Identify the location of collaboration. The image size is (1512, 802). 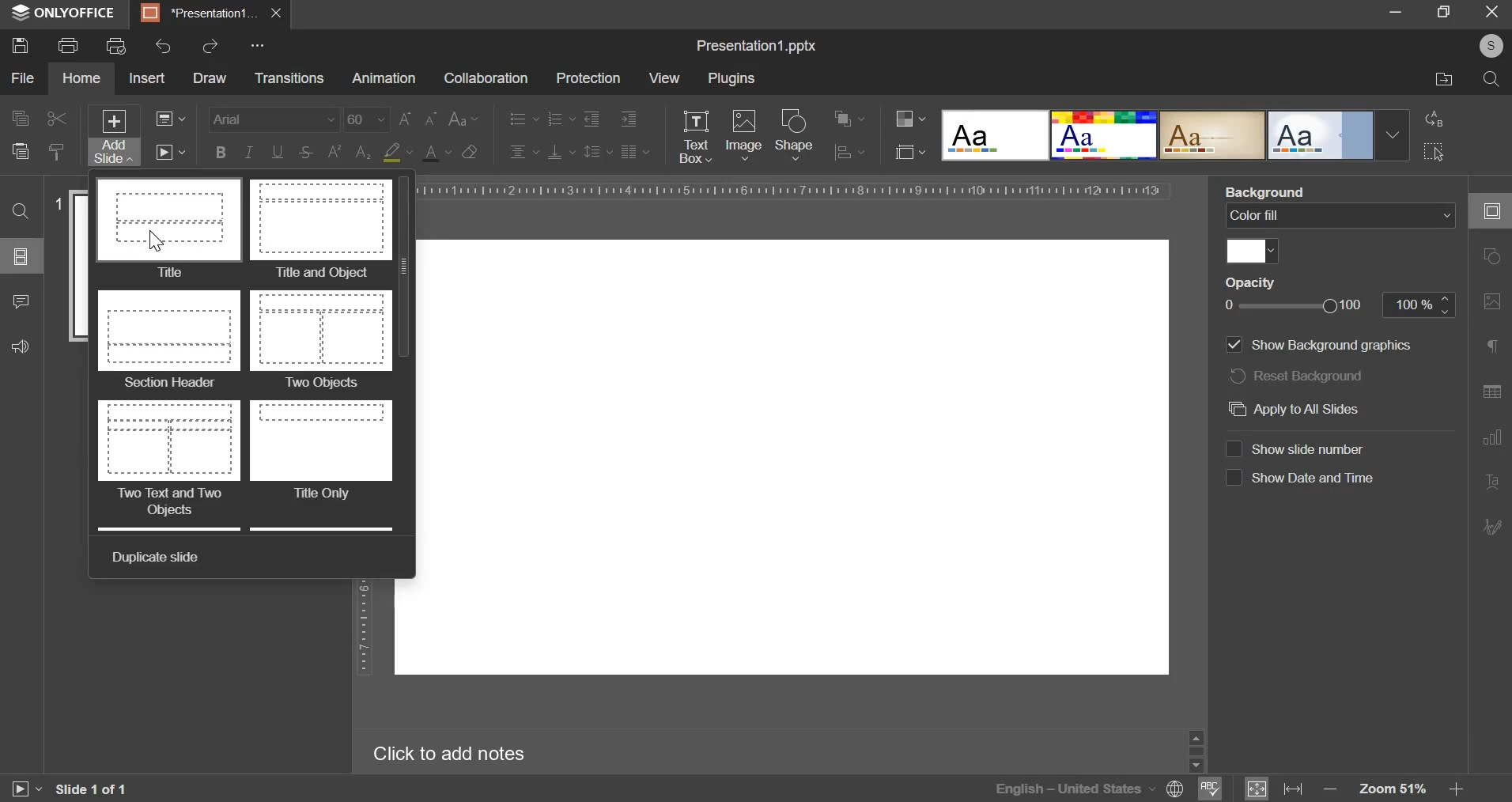
(485, 78).